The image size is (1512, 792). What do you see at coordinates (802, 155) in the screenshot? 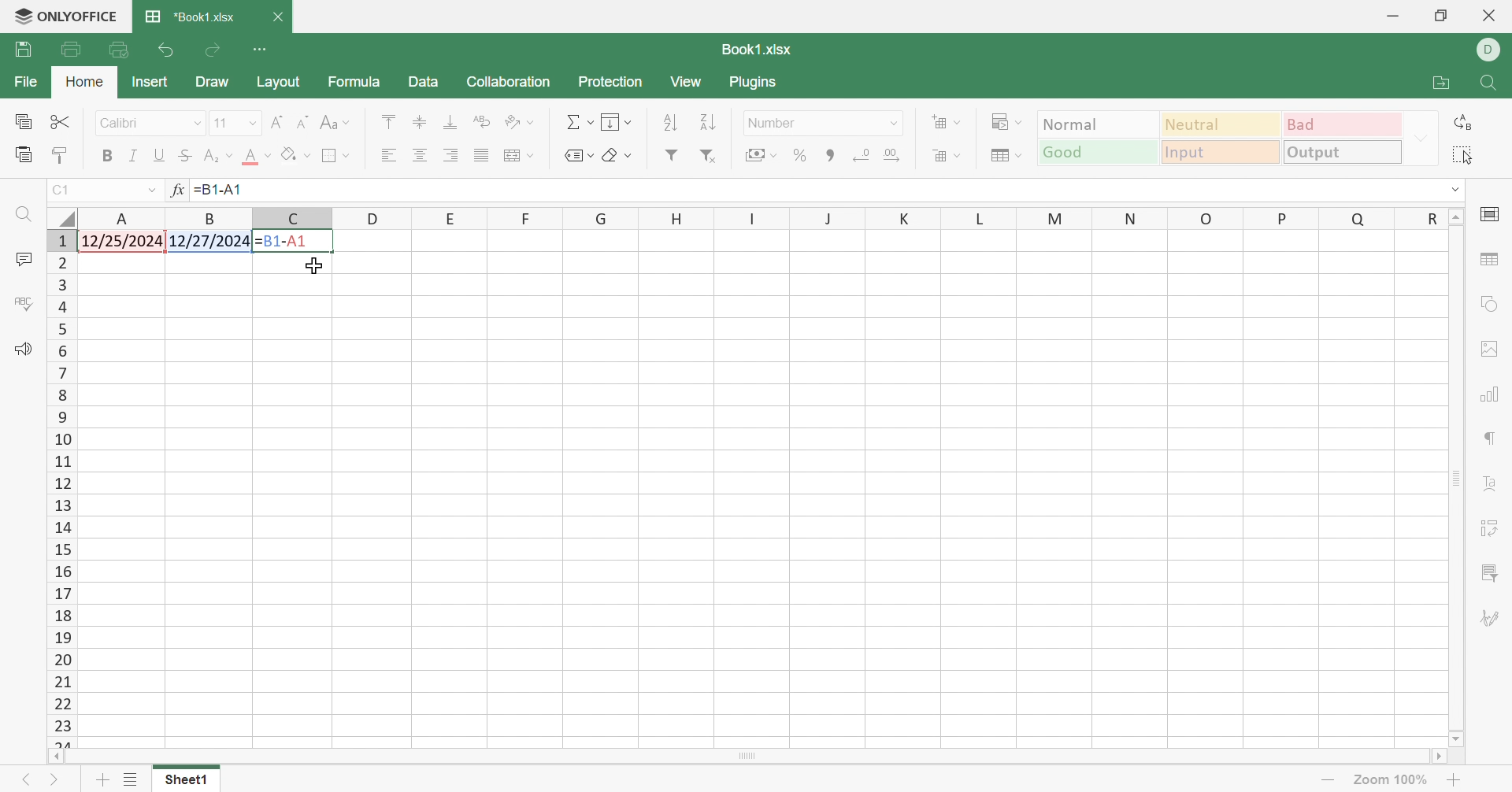
I see `Percent style` at bounding box center [802, 155].